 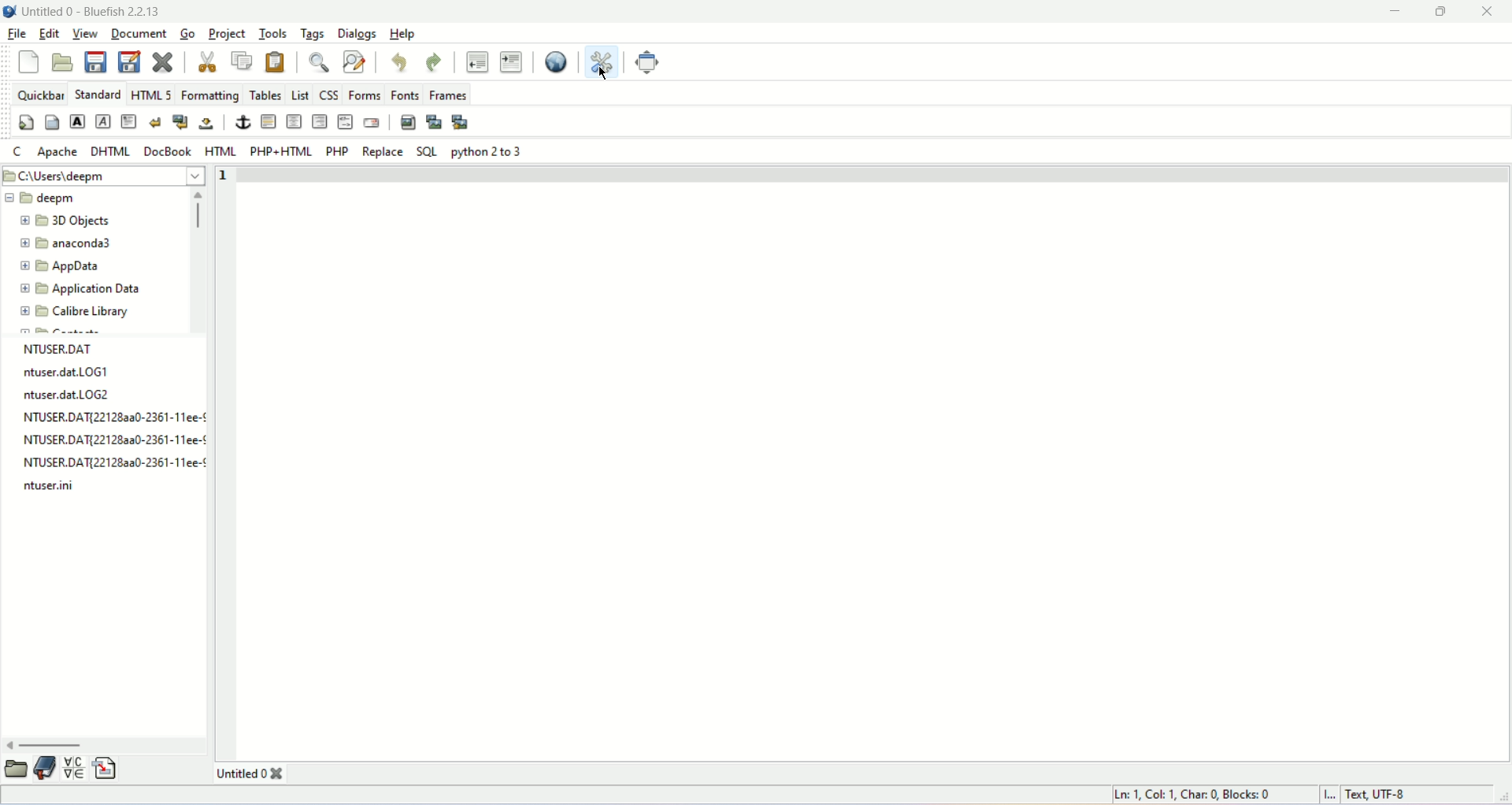 I want to click on Application Data, so click(x=98, y=289).